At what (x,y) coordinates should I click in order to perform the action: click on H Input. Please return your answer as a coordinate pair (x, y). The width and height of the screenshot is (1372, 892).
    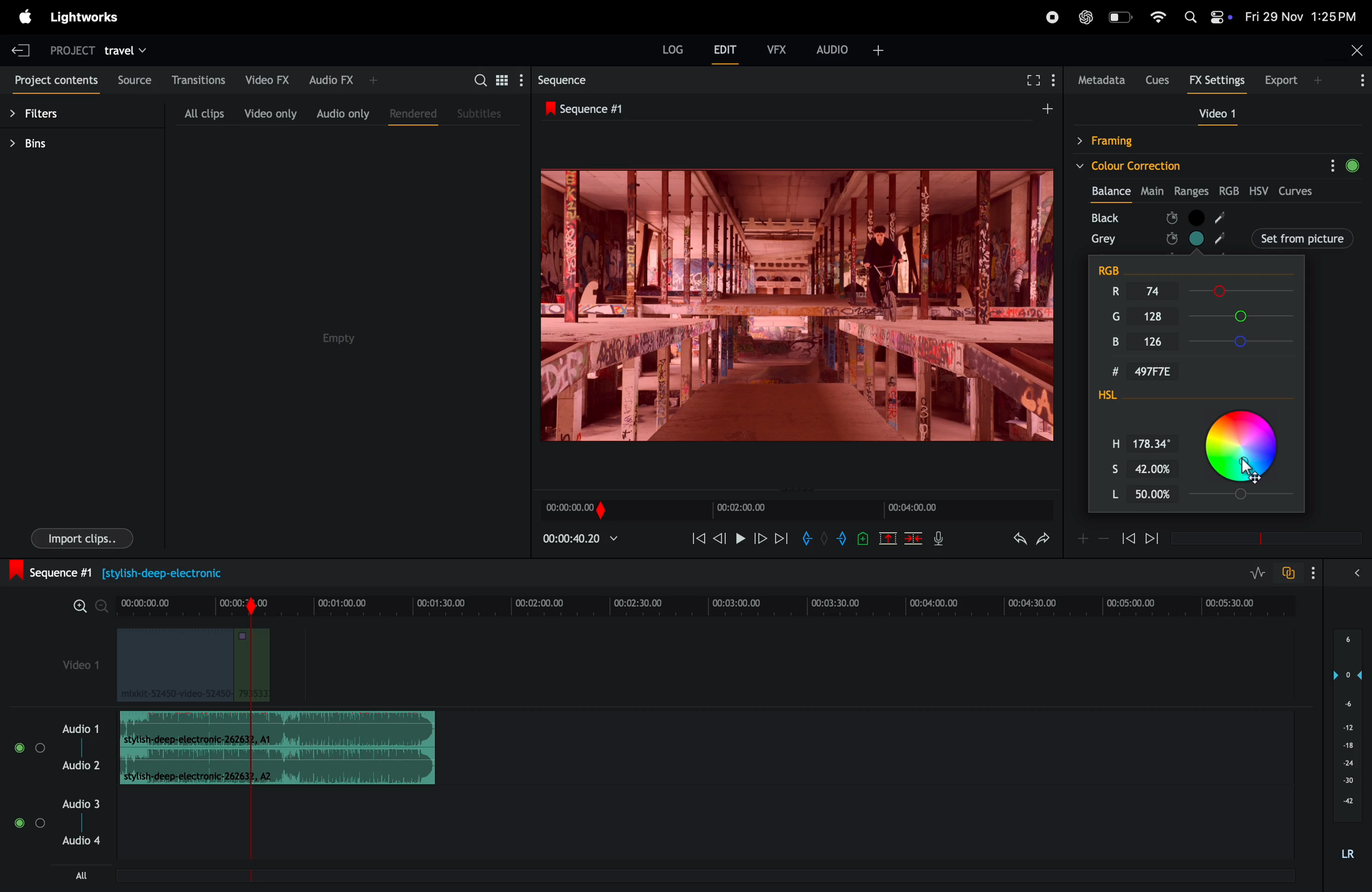
    Looking at the image, I should click on (1155, 442).